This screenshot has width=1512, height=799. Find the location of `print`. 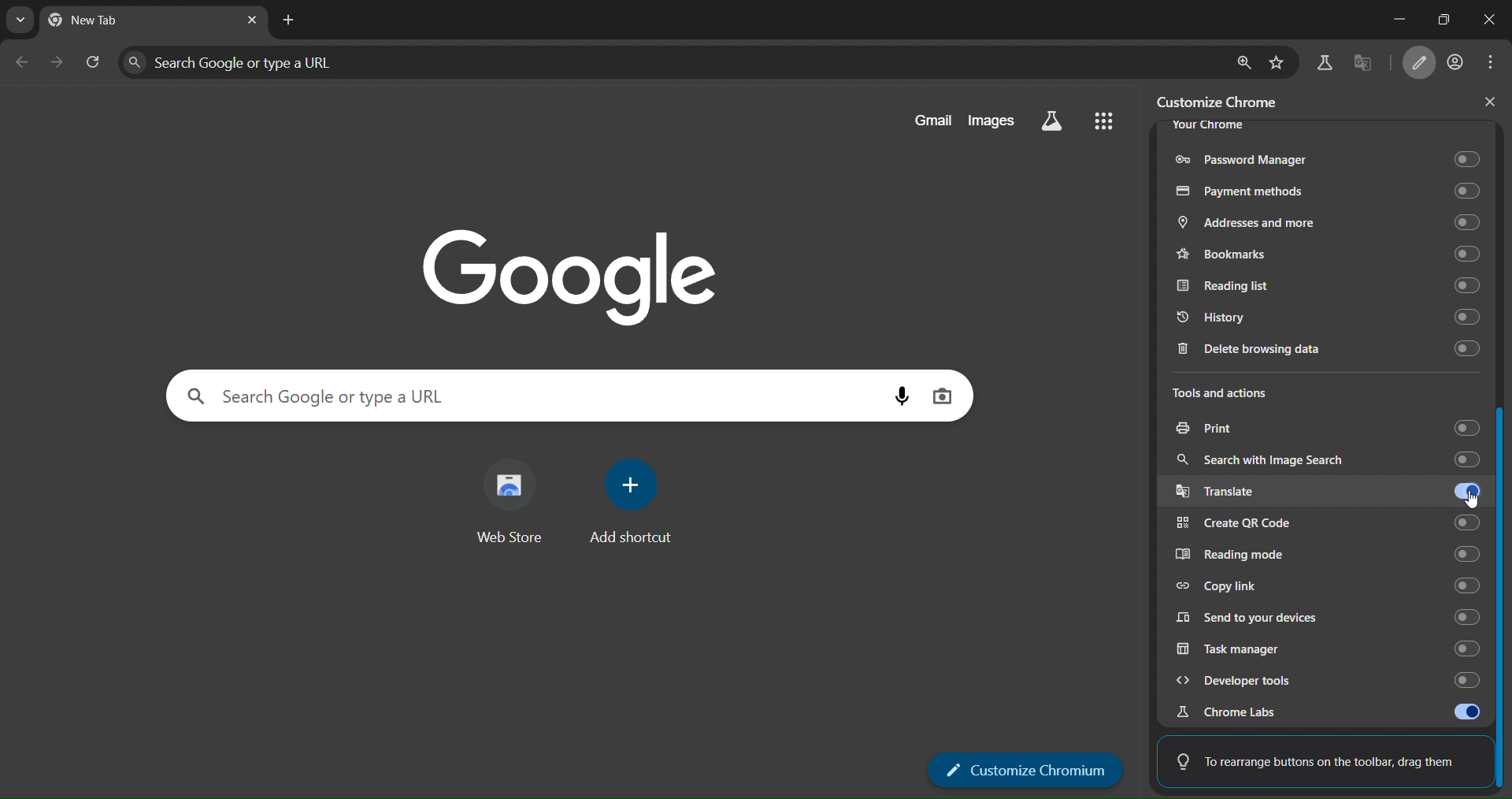

print is located at coordinates (1327, 426).